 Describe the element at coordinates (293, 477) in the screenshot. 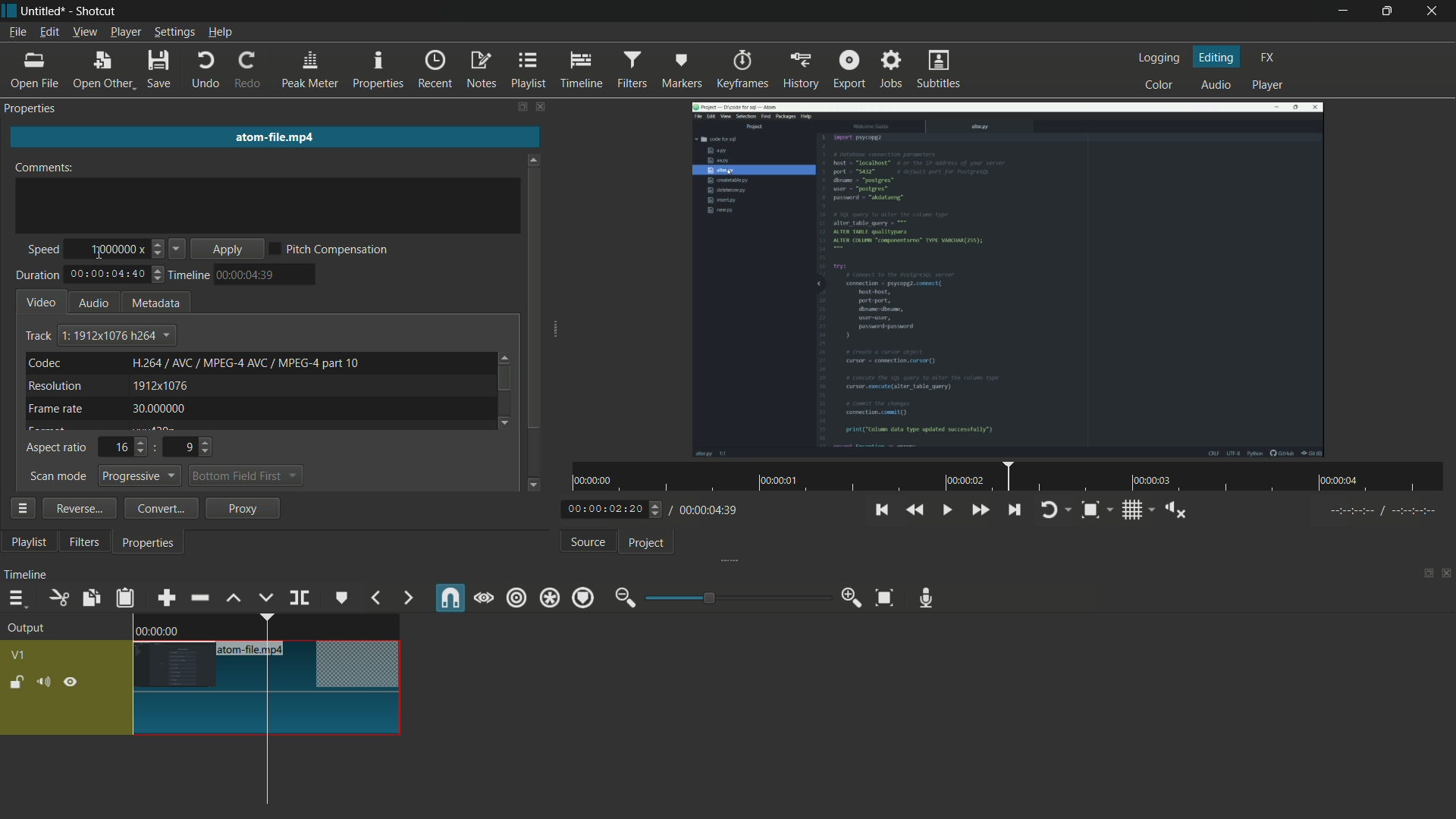

I see `dropdown` at that location.